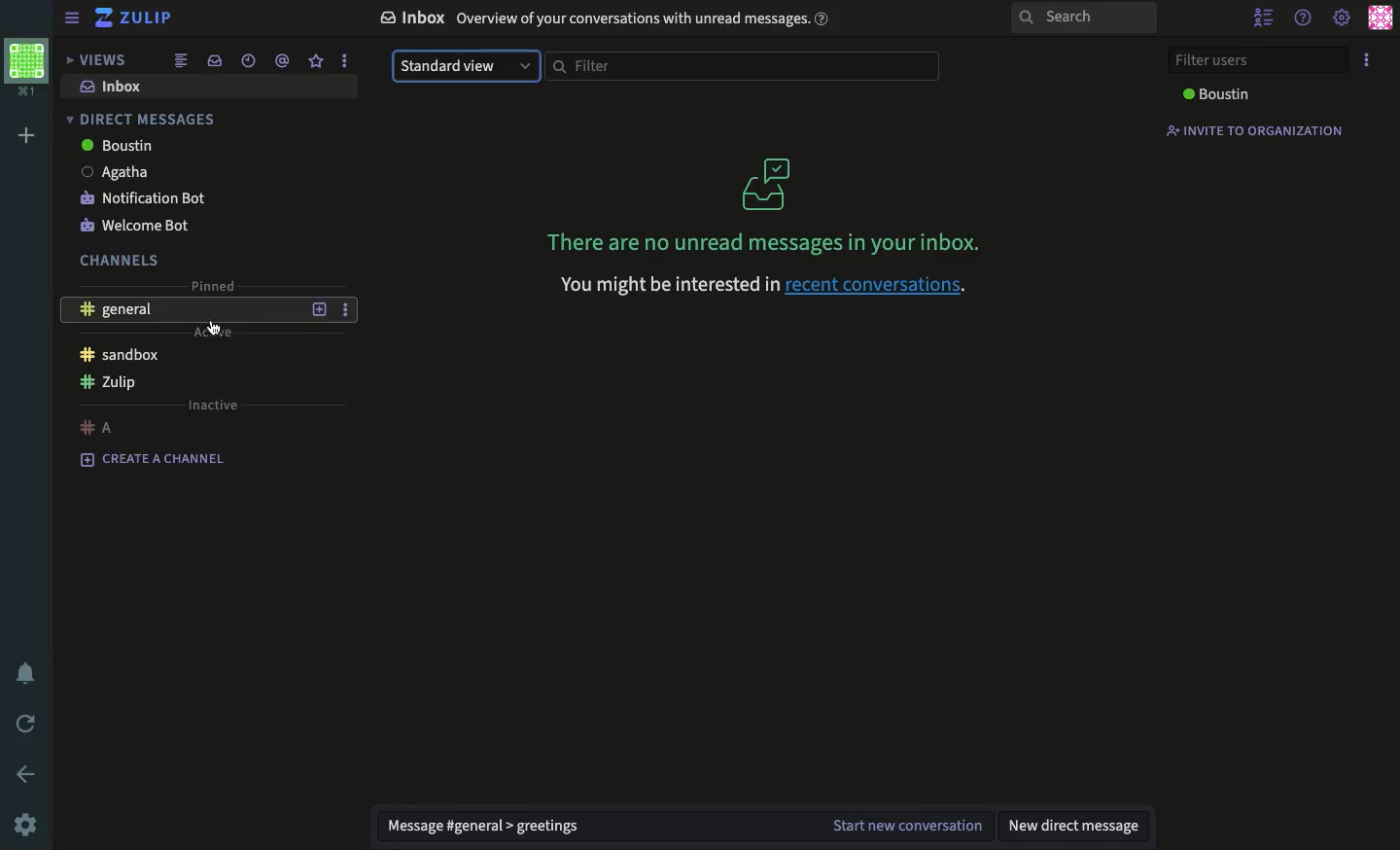  I want to click on search, so click(1086, 19).